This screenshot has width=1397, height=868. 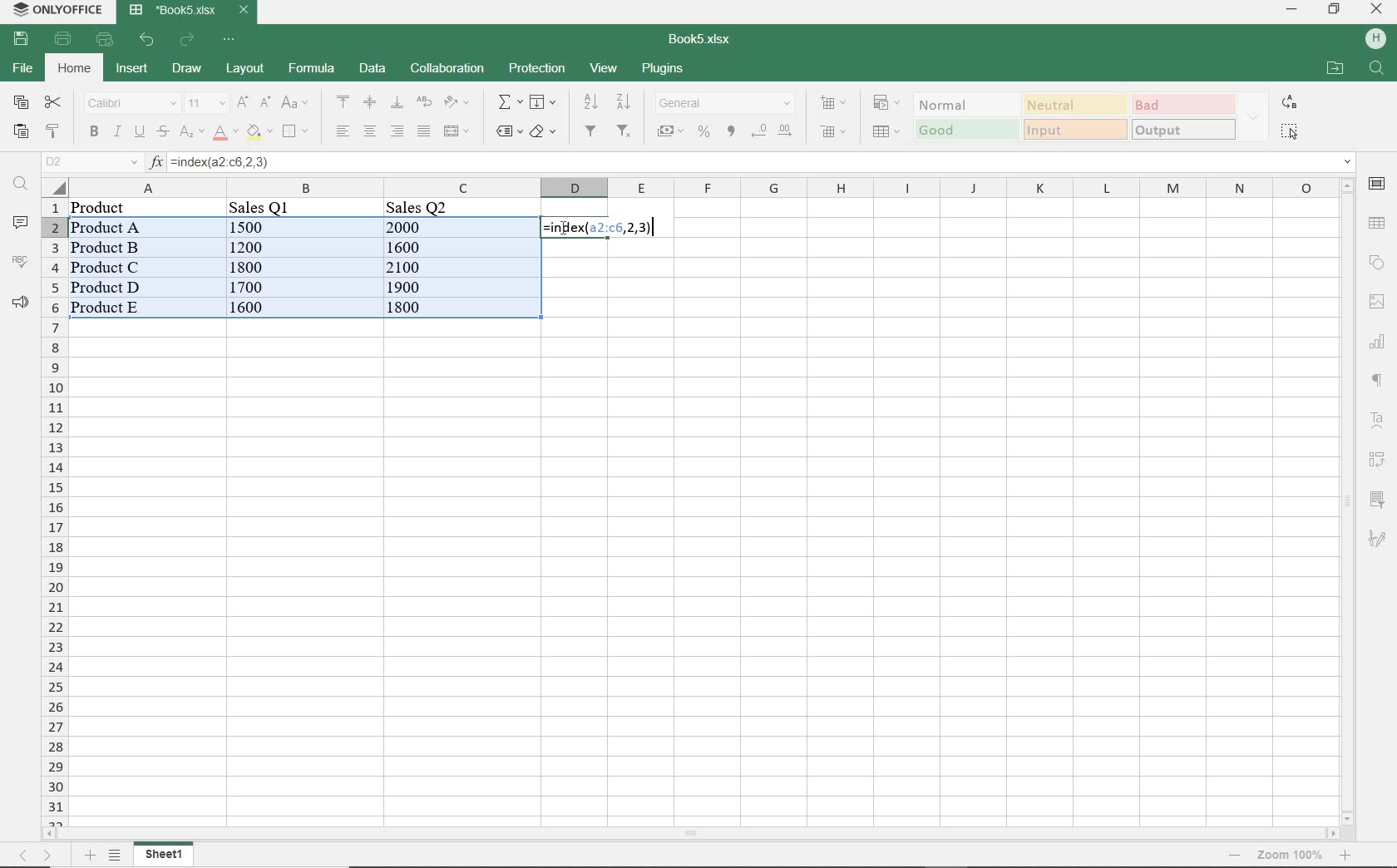 What do you see at coordinates (691, 834) in the screenshot?
I see `scrollbar` at bounding box center [691, 834].